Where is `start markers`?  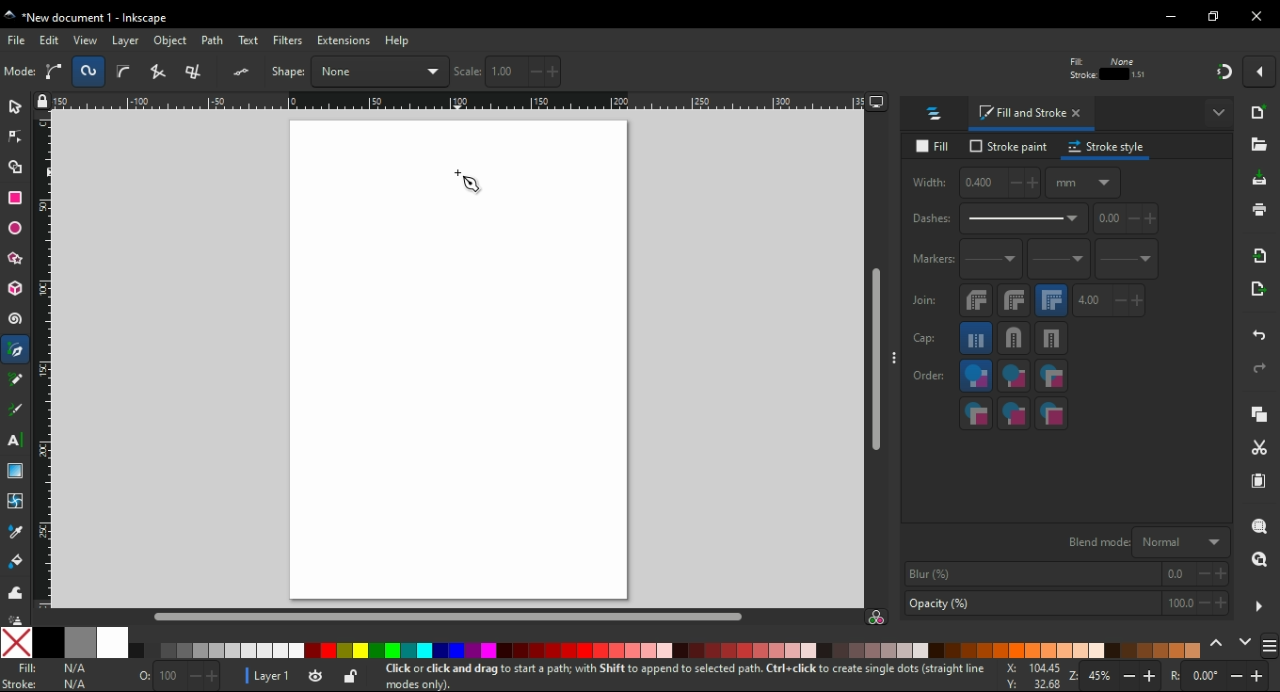 start markers is located at coordinates (991, 260).